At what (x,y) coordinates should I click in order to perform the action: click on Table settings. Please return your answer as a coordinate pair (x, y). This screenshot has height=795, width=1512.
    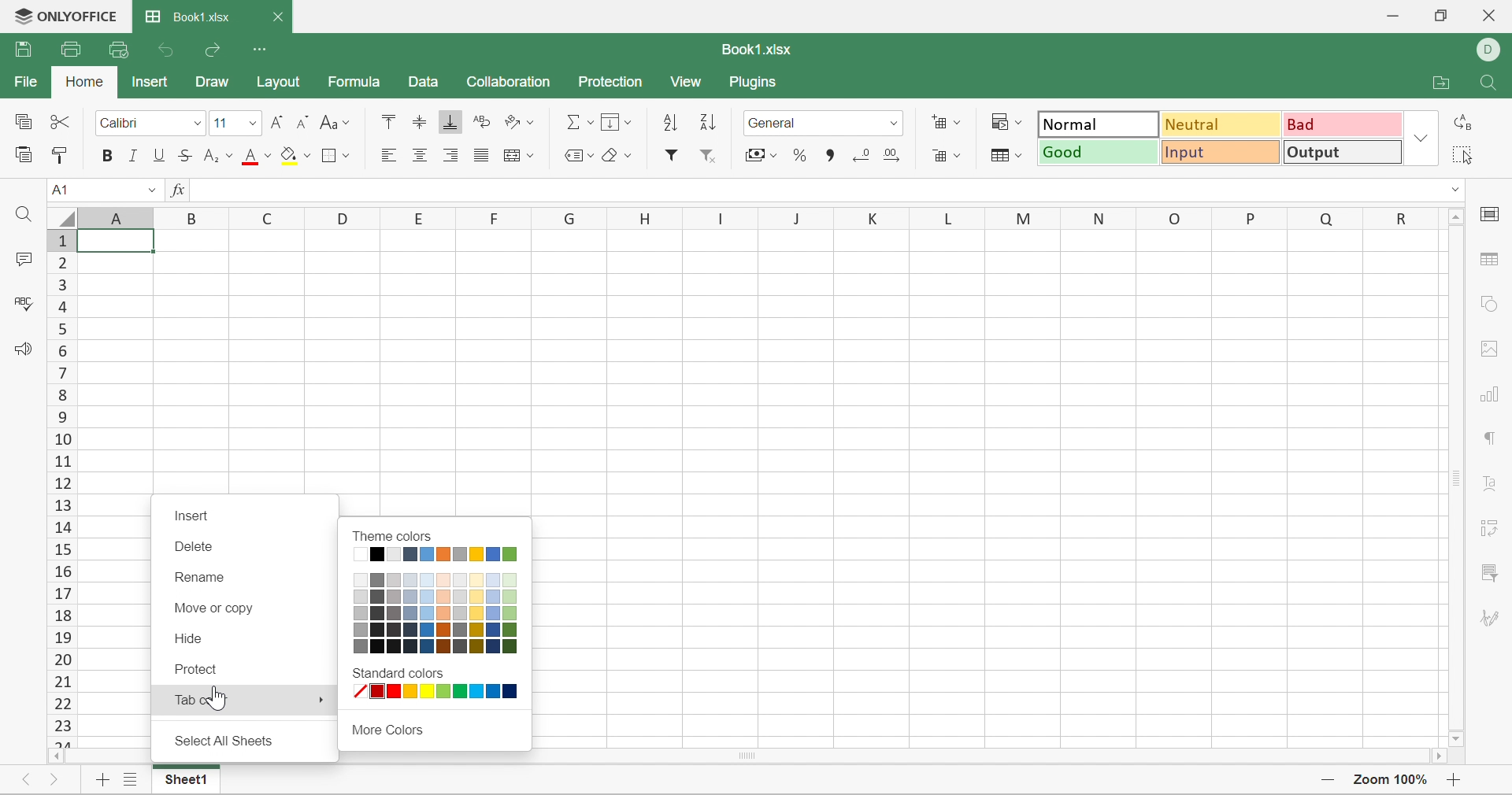
    Looking at the image, I should click on (1493, 261).